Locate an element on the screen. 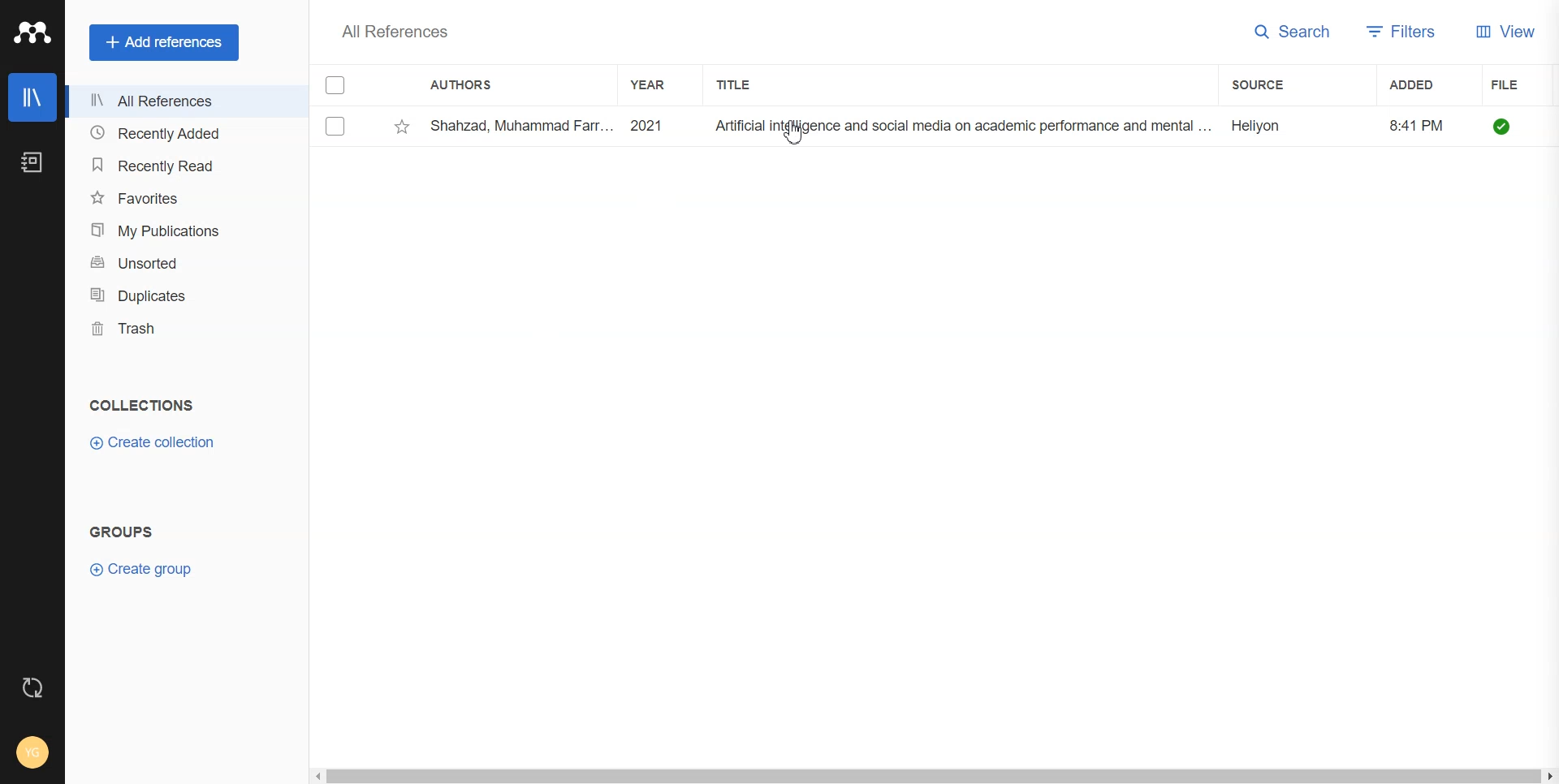 The height and width of the screenshot is (784, 1559). Duplicates is located at coordinates (184, 296).